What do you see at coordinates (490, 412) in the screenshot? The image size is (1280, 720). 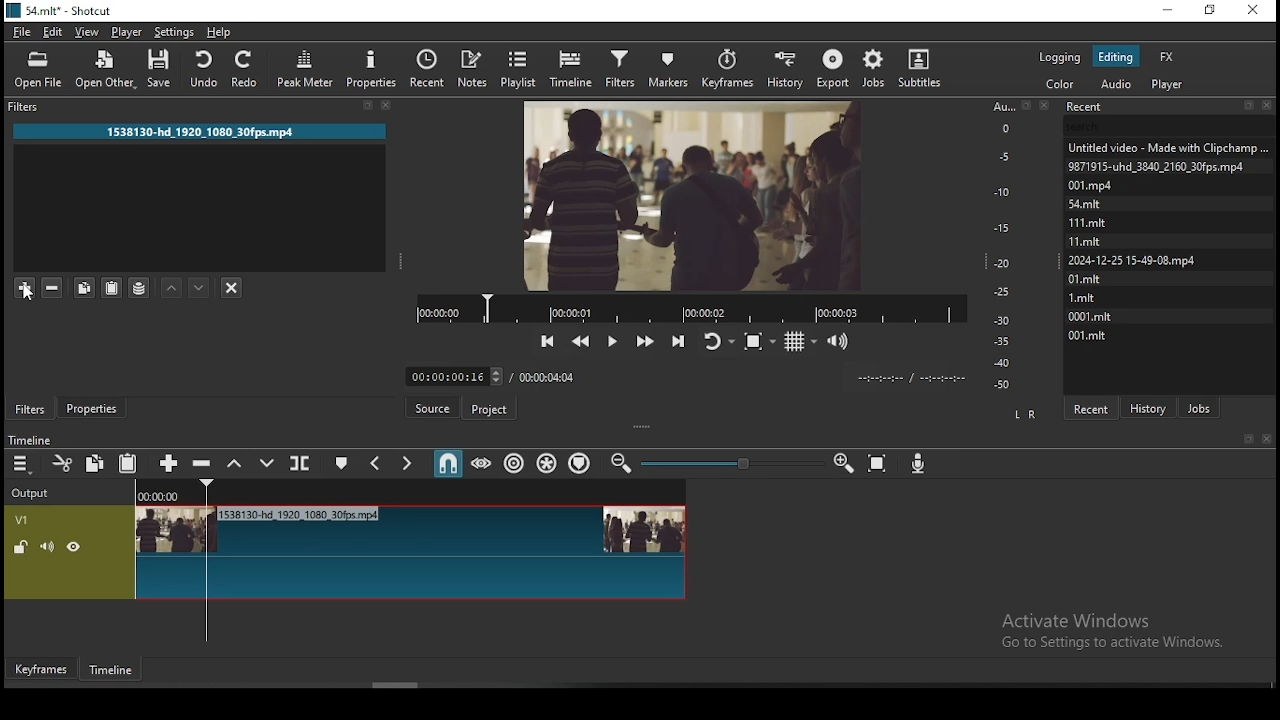 I see `project` at bounding box center [490, 412].